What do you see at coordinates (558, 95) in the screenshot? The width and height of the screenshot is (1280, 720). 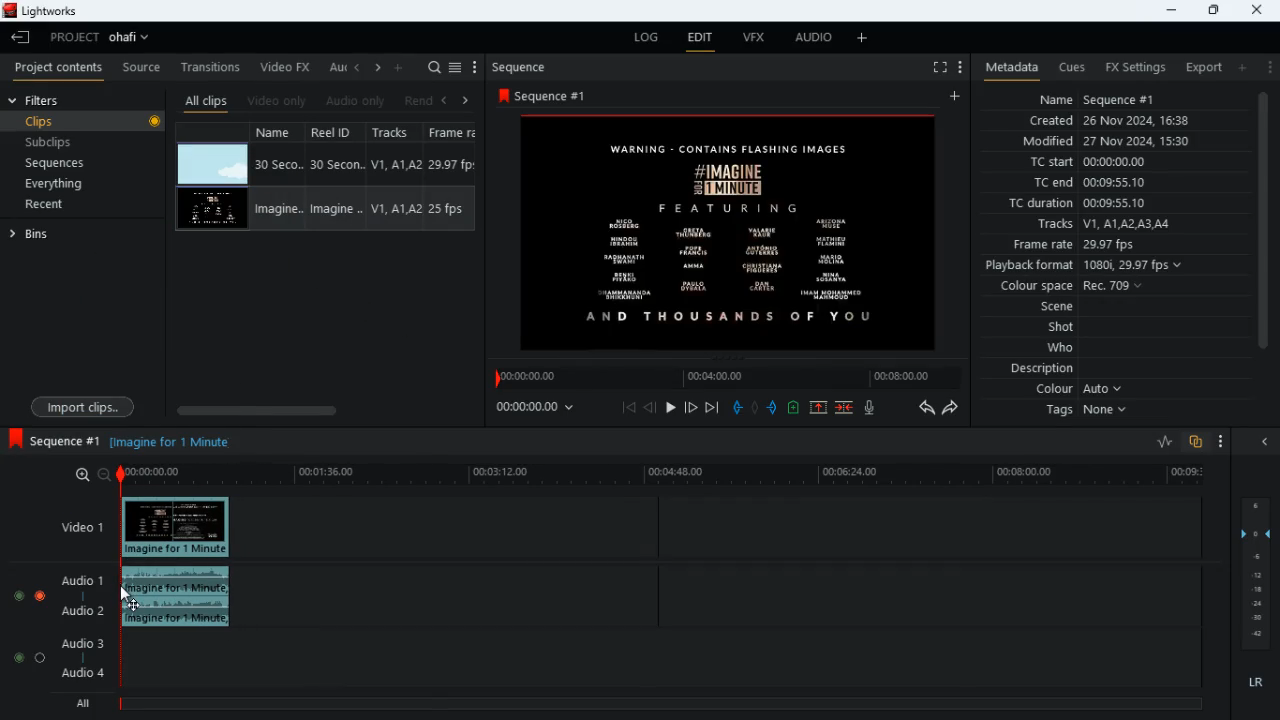 I see `sequence` at bounding box center [558, 95].